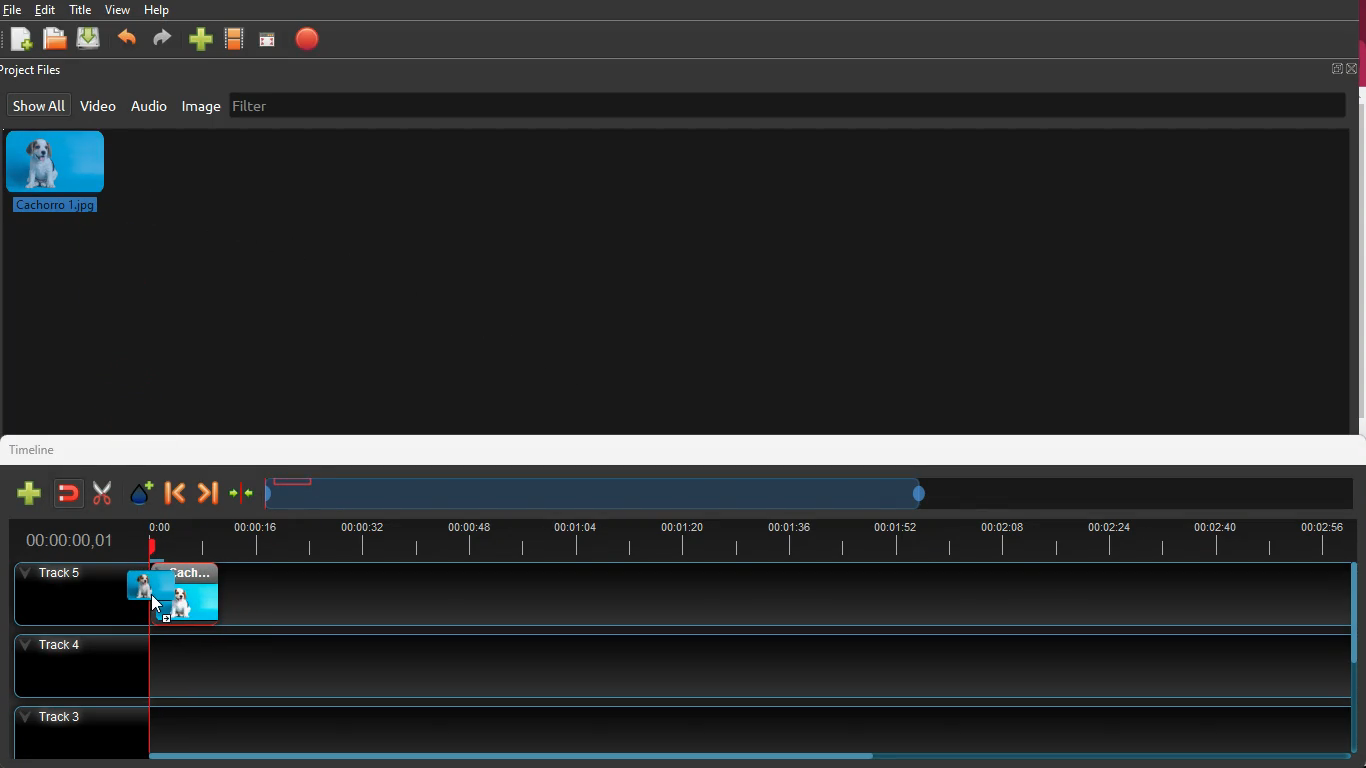  Describe the element at coordinates (71, 541) in the screenshot. I see `` at that location.